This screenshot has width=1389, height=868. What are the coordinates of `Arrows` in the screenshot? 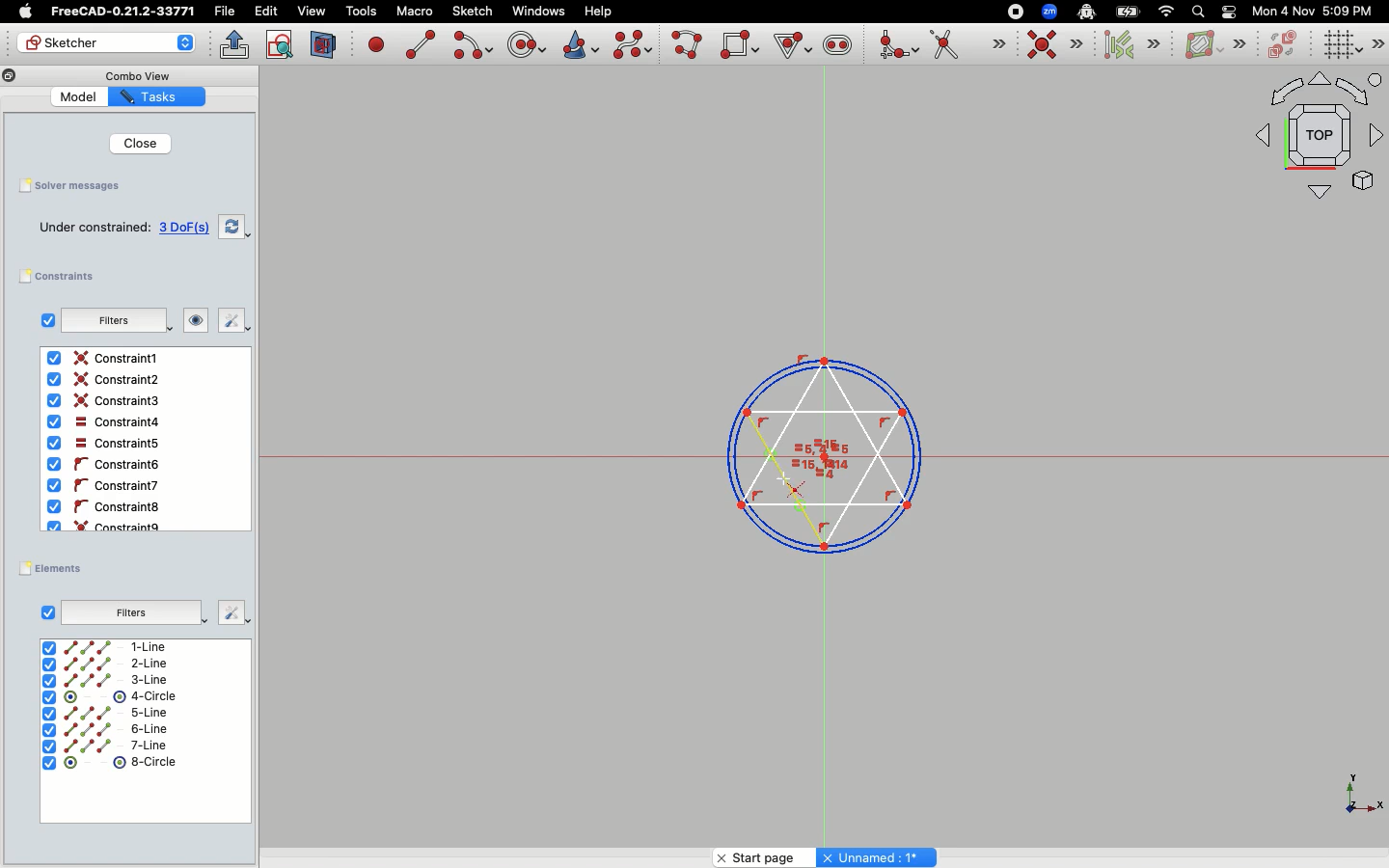 It's located at (187, 44).